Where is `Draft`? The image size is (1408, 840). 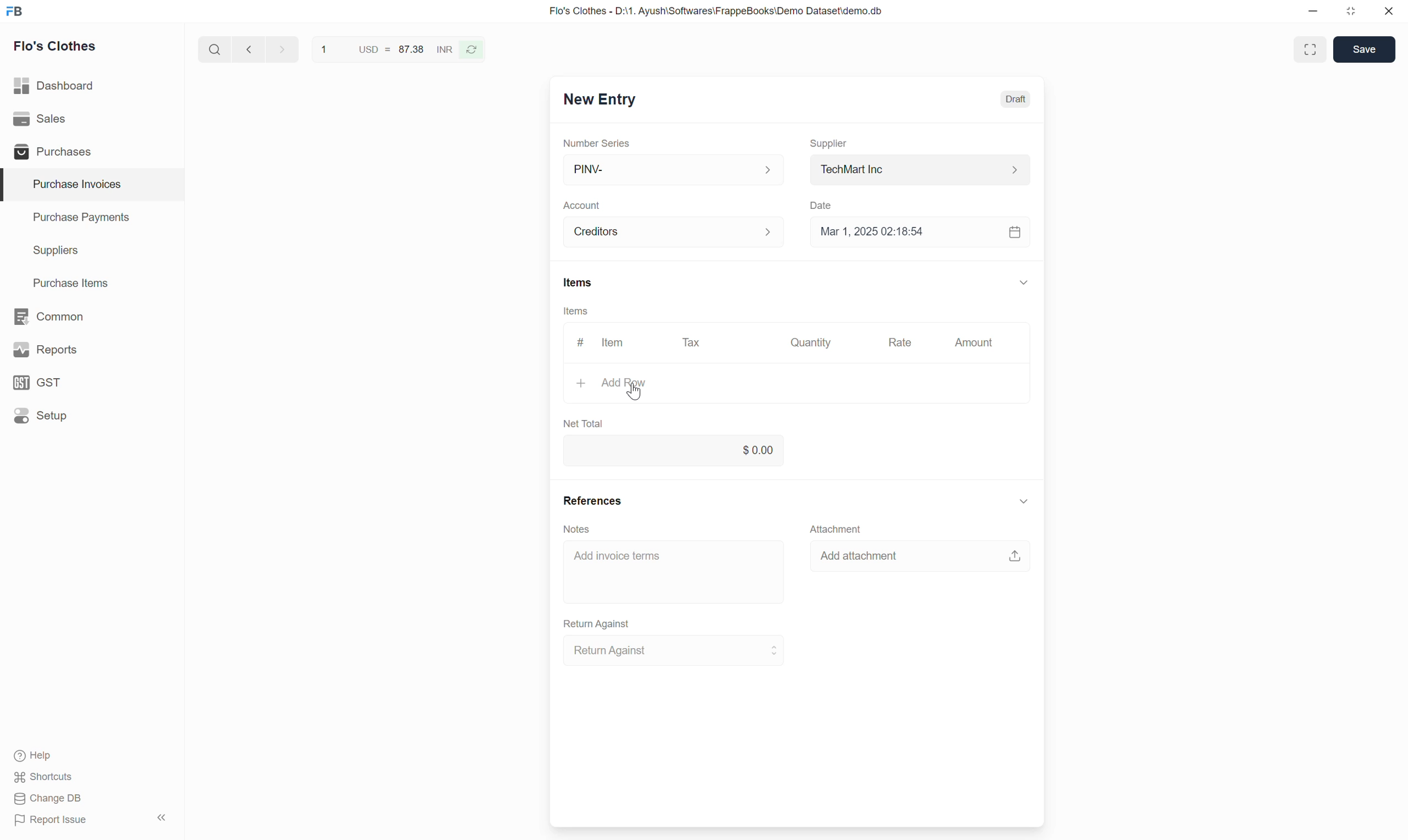
Draft is located at coordinates (1016, 100).